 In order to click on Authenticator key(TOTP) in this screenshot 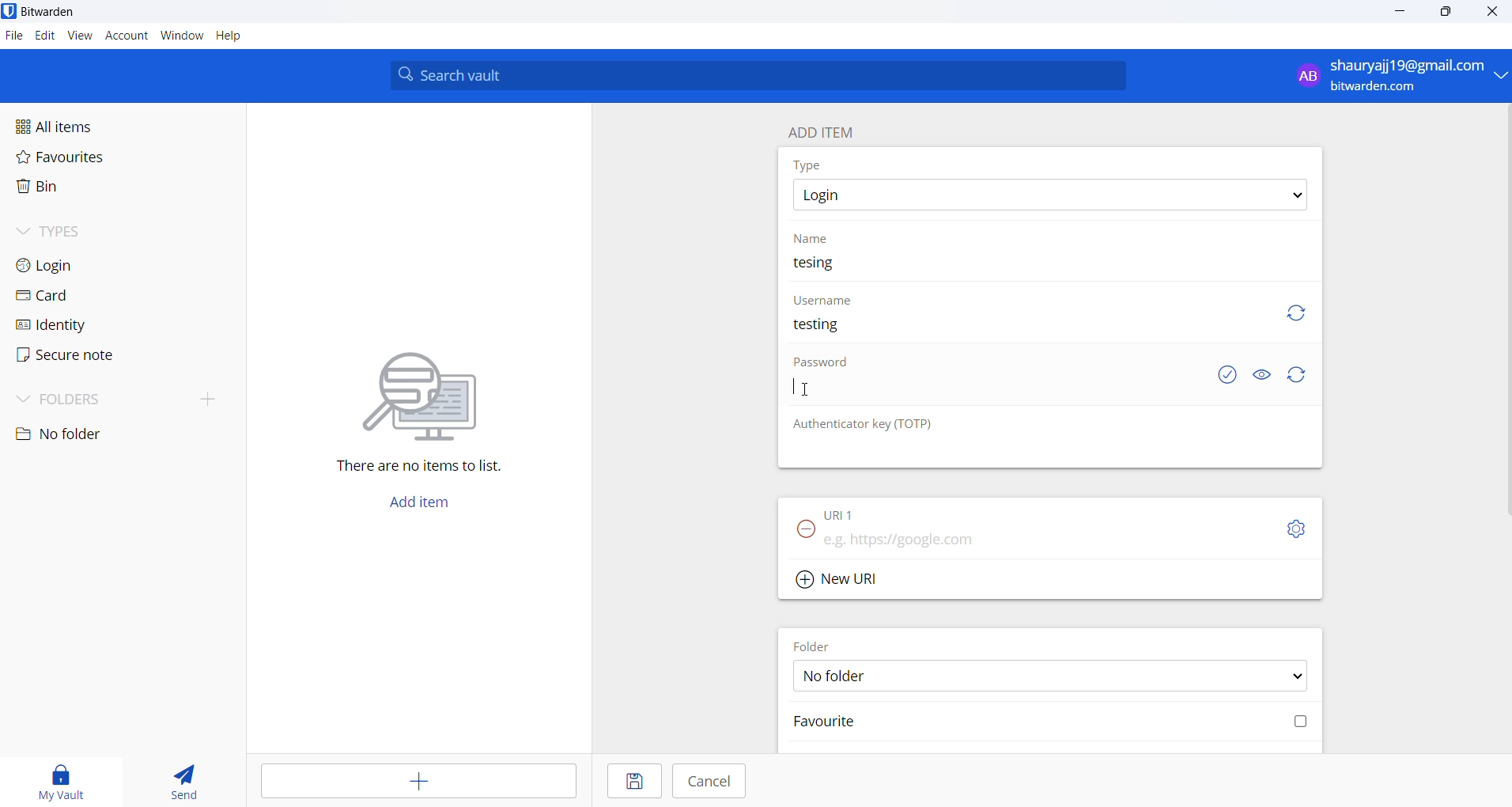, I will do `click(864, 425)`.